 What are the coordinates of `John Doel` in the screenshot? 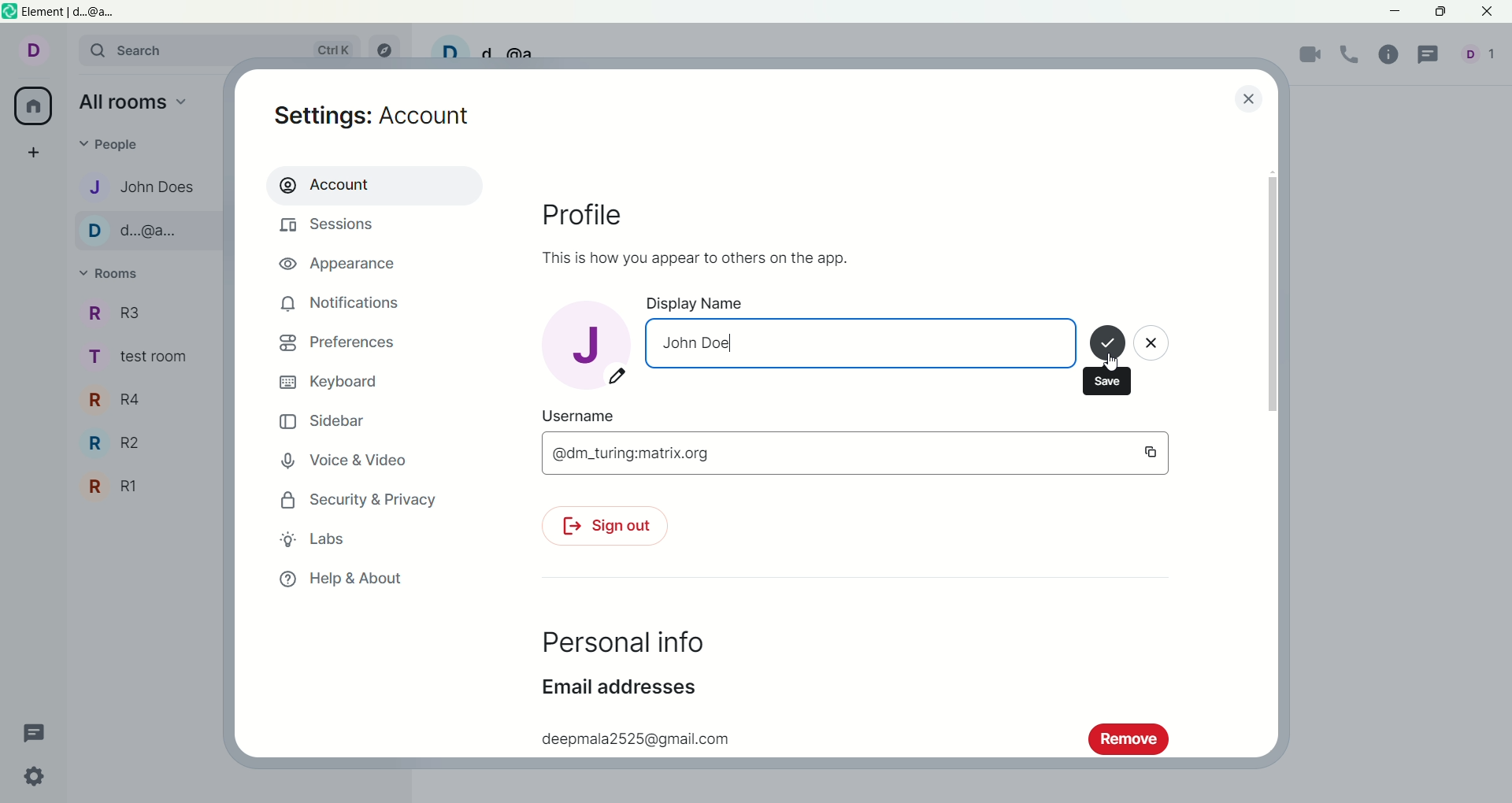 It's located at (862, 344).